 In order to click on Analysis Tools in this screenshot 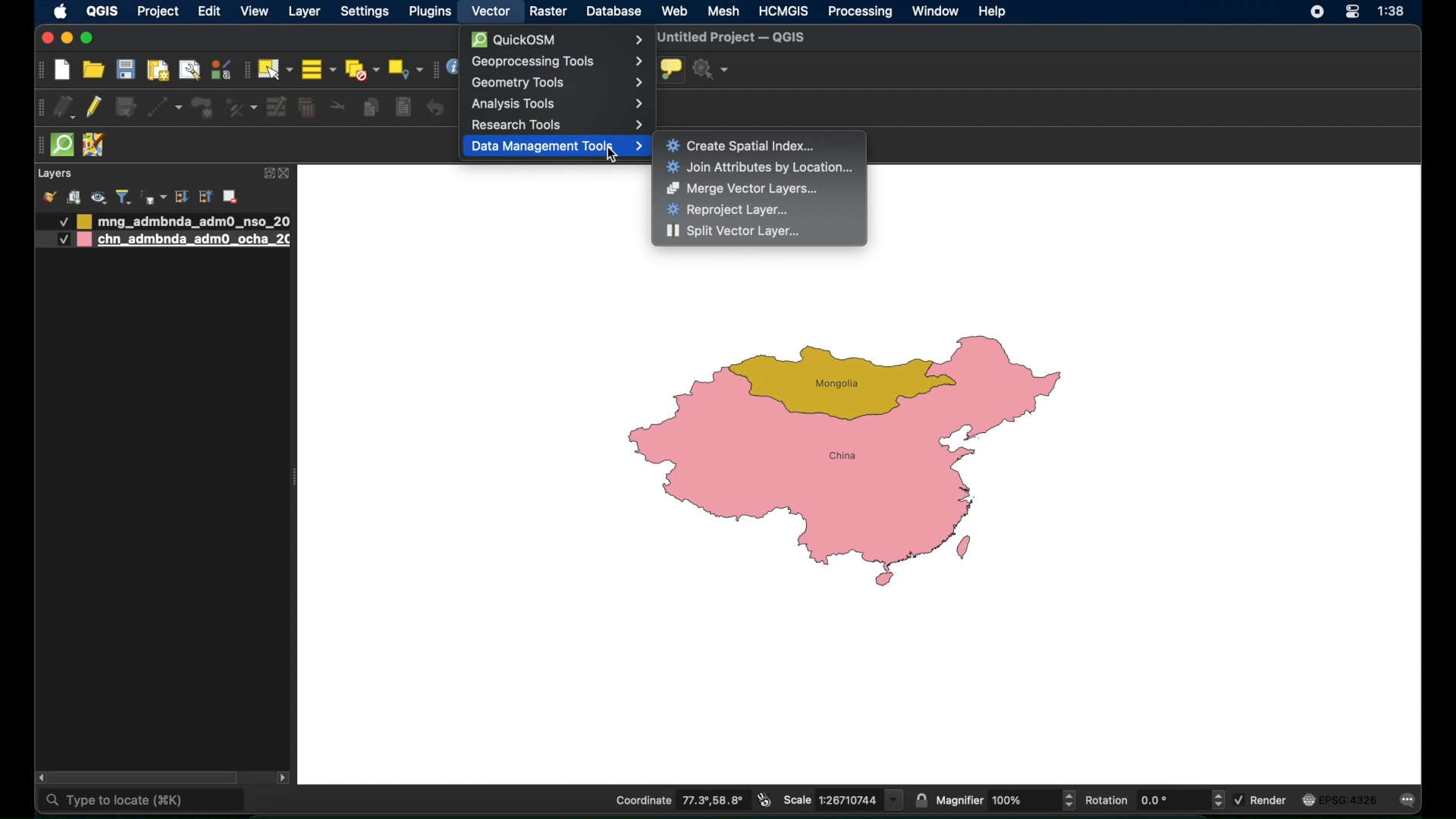, I will do `click(558, 104)`.